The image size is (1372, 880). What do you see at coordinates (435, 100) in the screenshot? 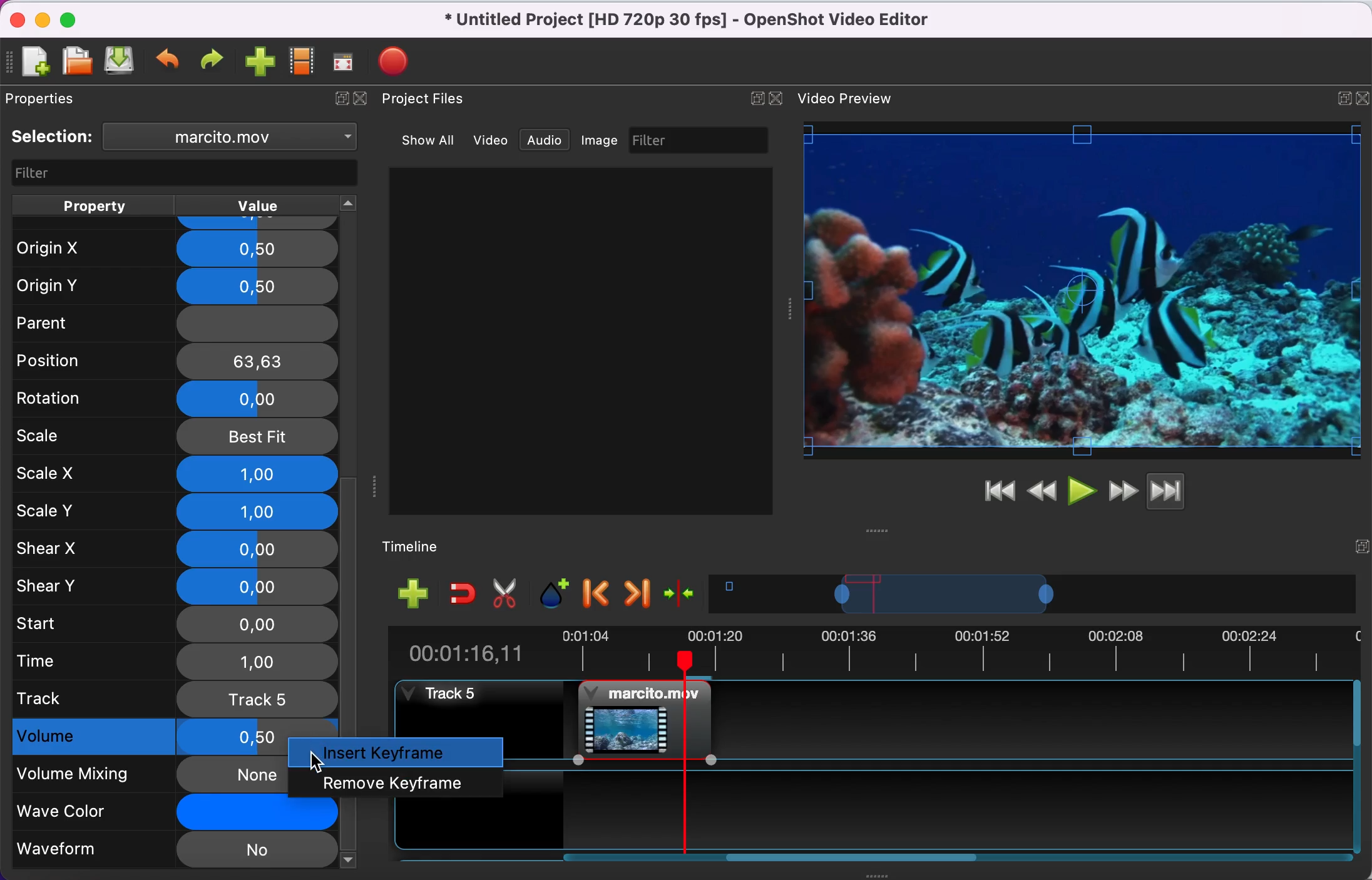
I see `project files` at bounding box center [435, 100].